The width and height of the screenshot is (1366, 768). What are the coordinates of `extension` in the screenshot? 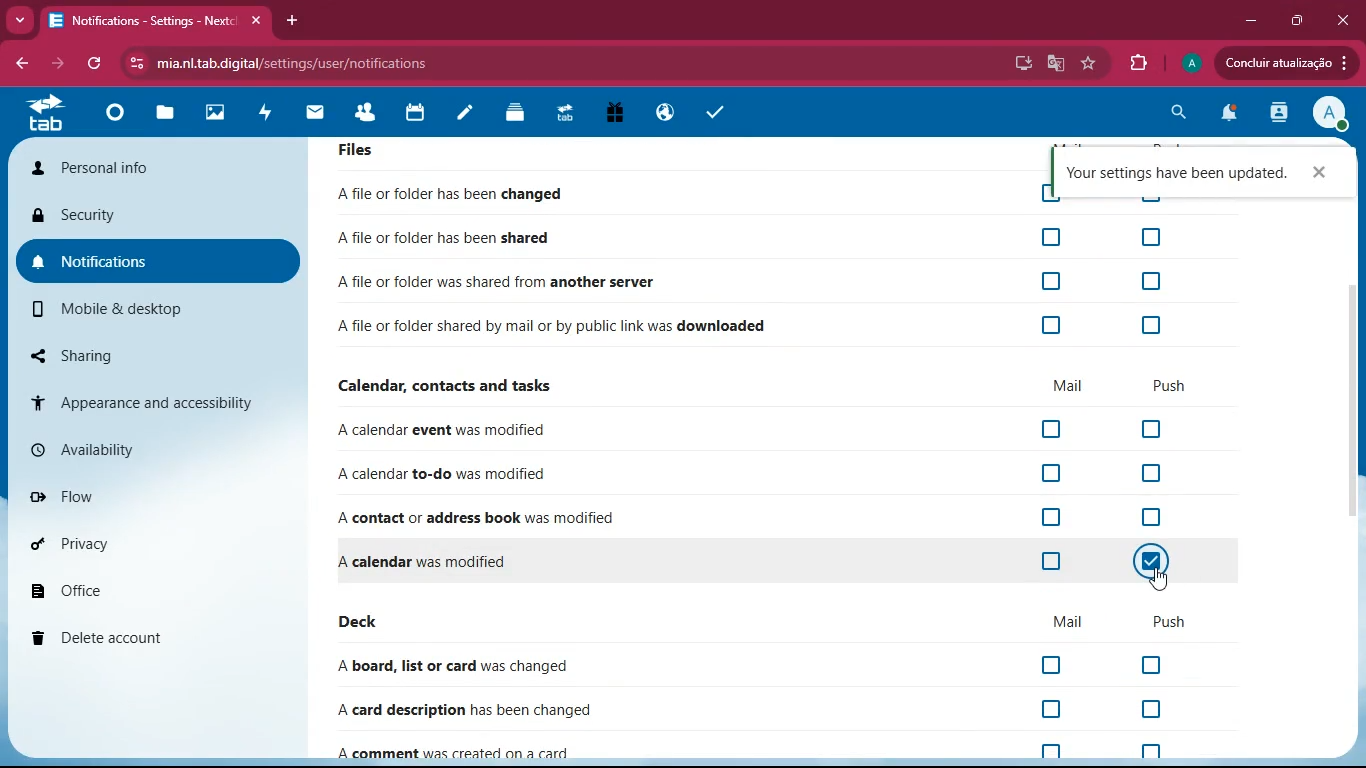 It's located at (1138, 60).